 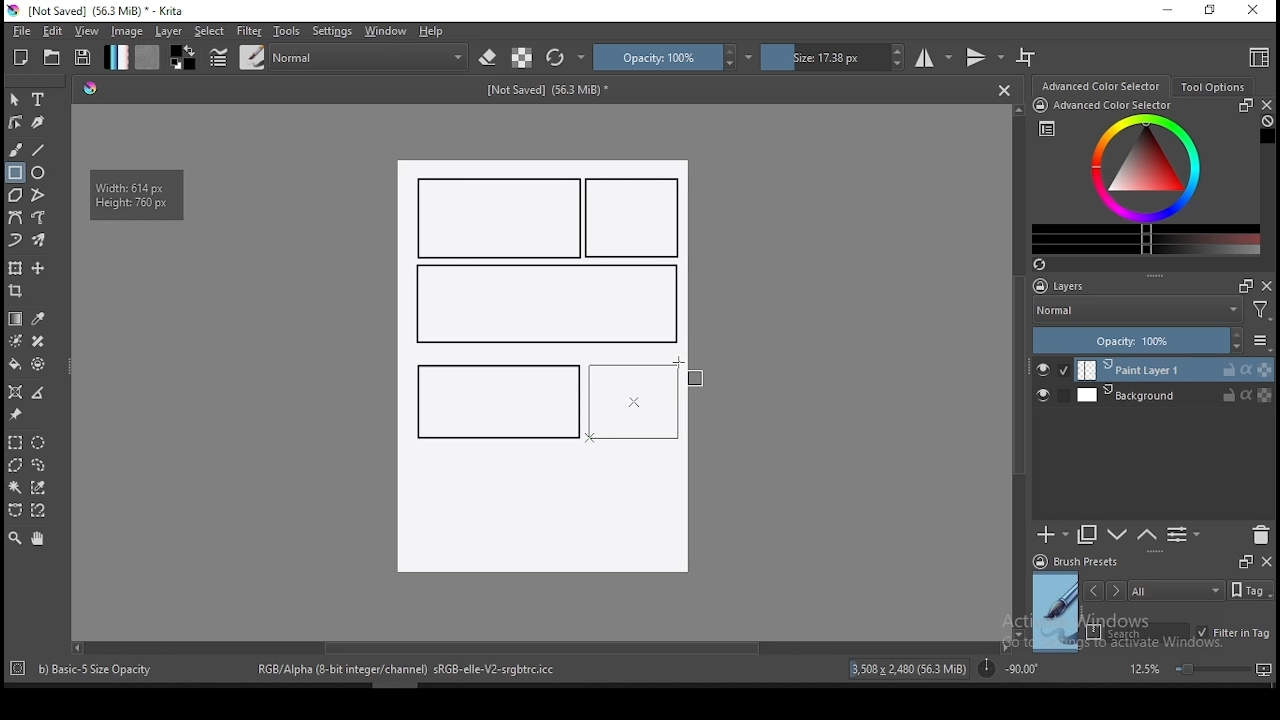 What do you see at coordinates (500, 218) in the screenshot?
I see `new rectangle` at bounding box center [500, 218].